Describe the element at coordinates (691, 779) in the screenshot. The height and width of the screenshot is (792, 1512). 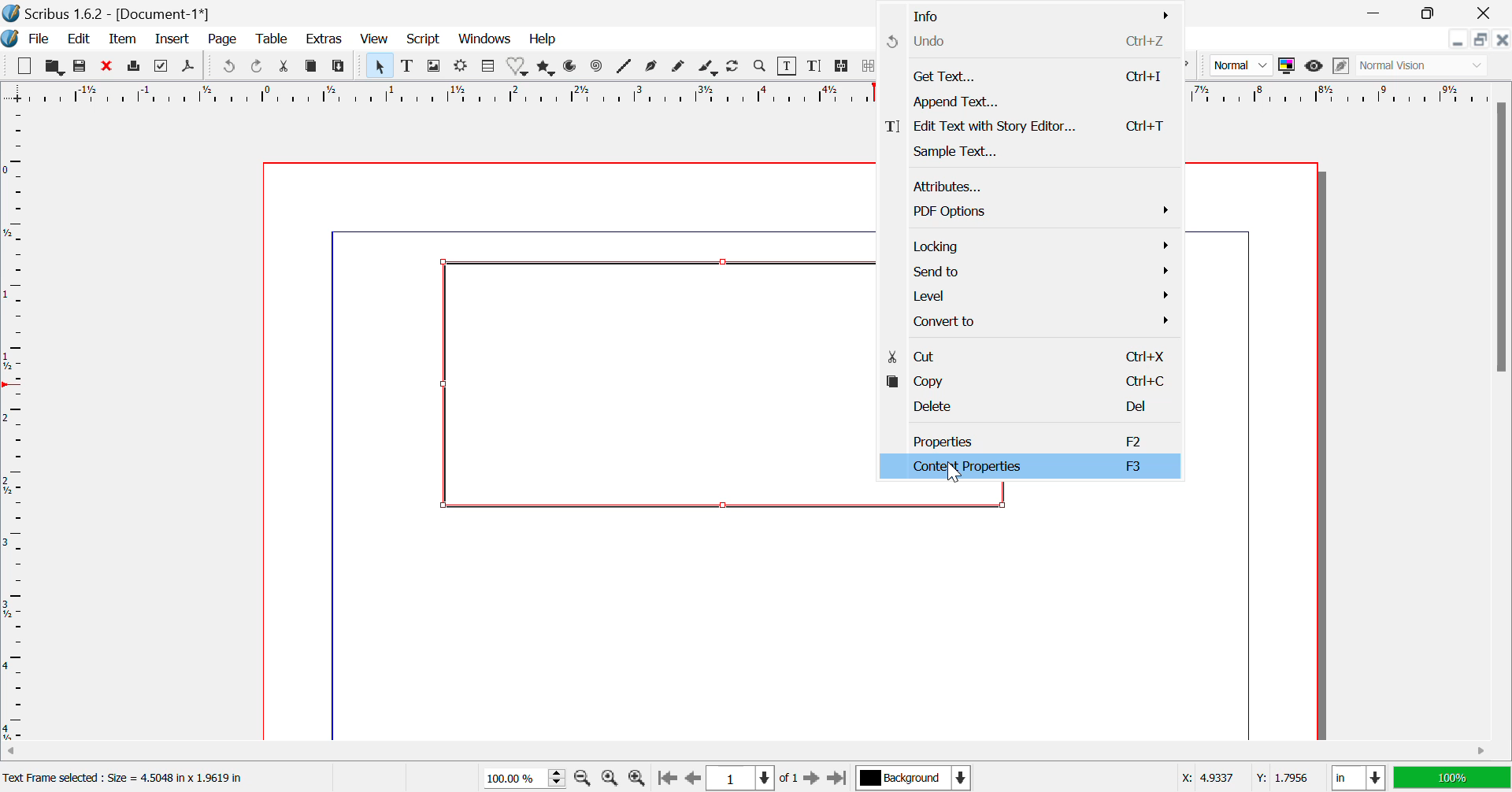
I see `Previous Page` at that location.